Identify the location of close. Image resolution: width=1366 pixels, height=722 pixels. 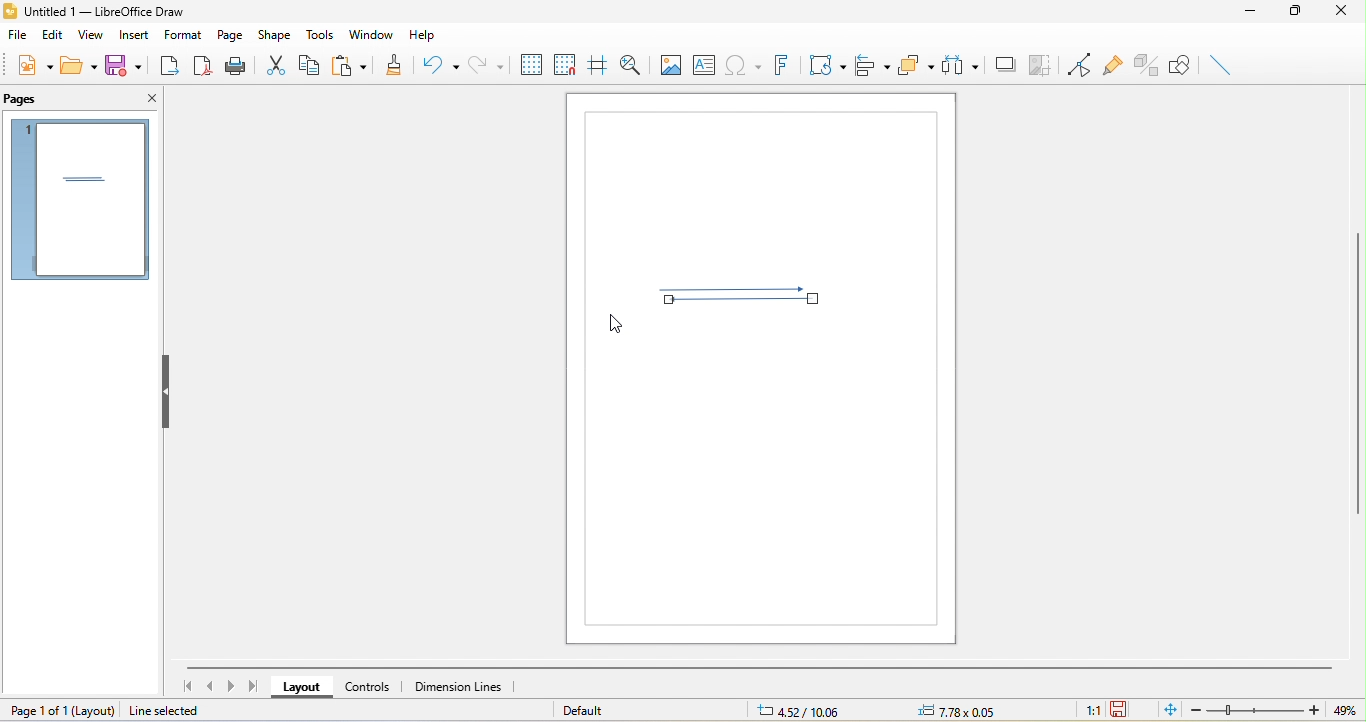
(148, 101).